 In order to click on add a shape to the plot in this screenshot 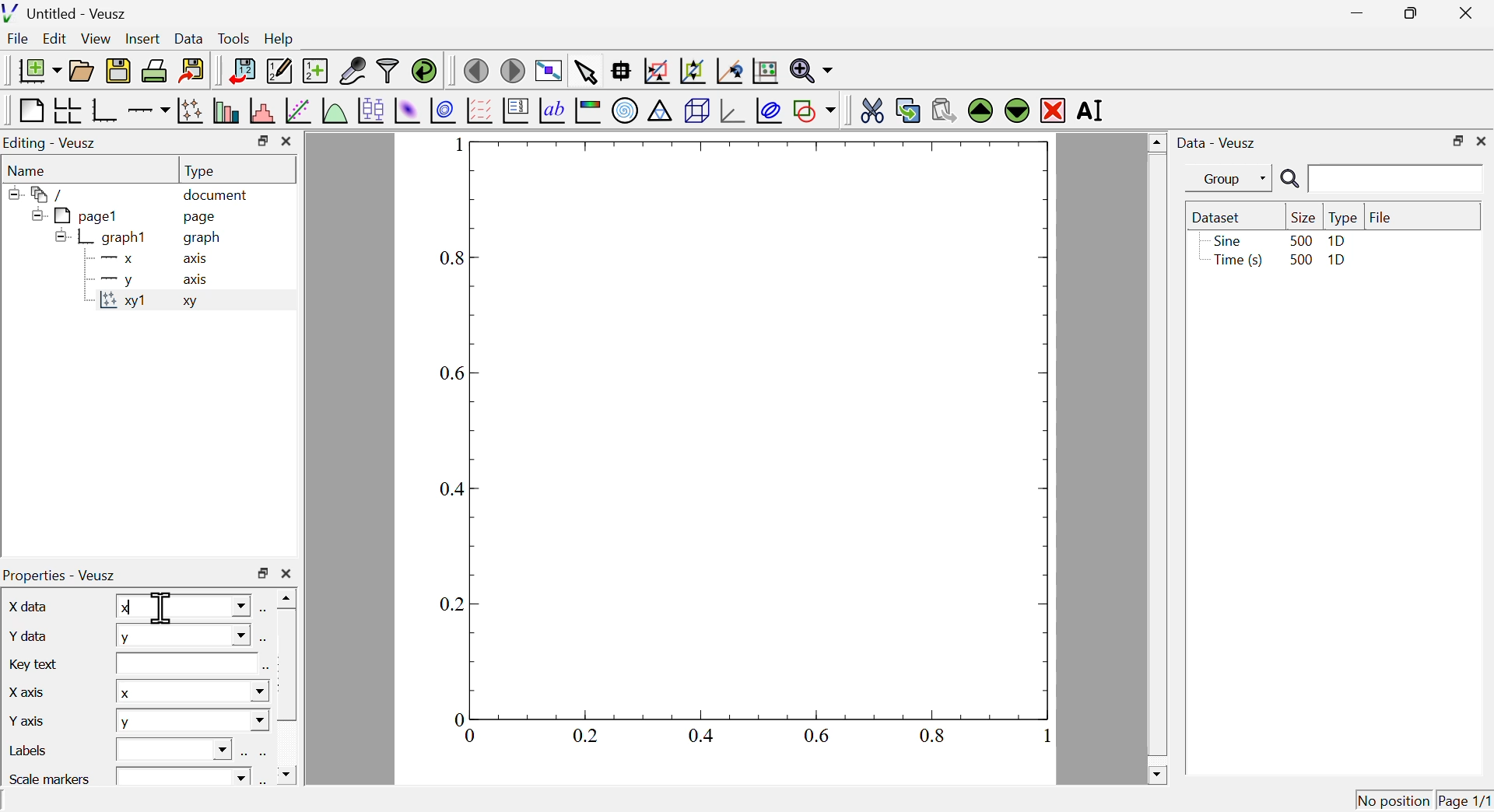, I will do `click(815, 110)`.